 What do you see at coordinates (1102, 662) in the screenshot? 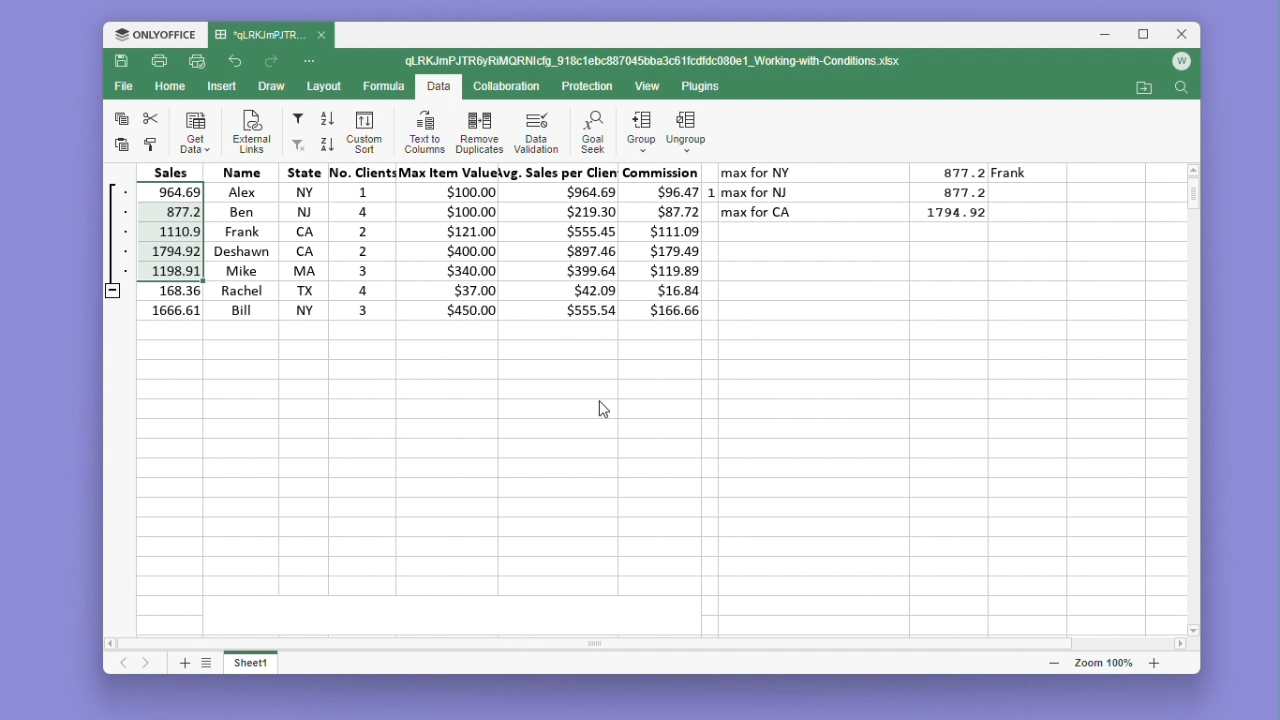
I see `zoom bar` at bounding box center [1102, 662].